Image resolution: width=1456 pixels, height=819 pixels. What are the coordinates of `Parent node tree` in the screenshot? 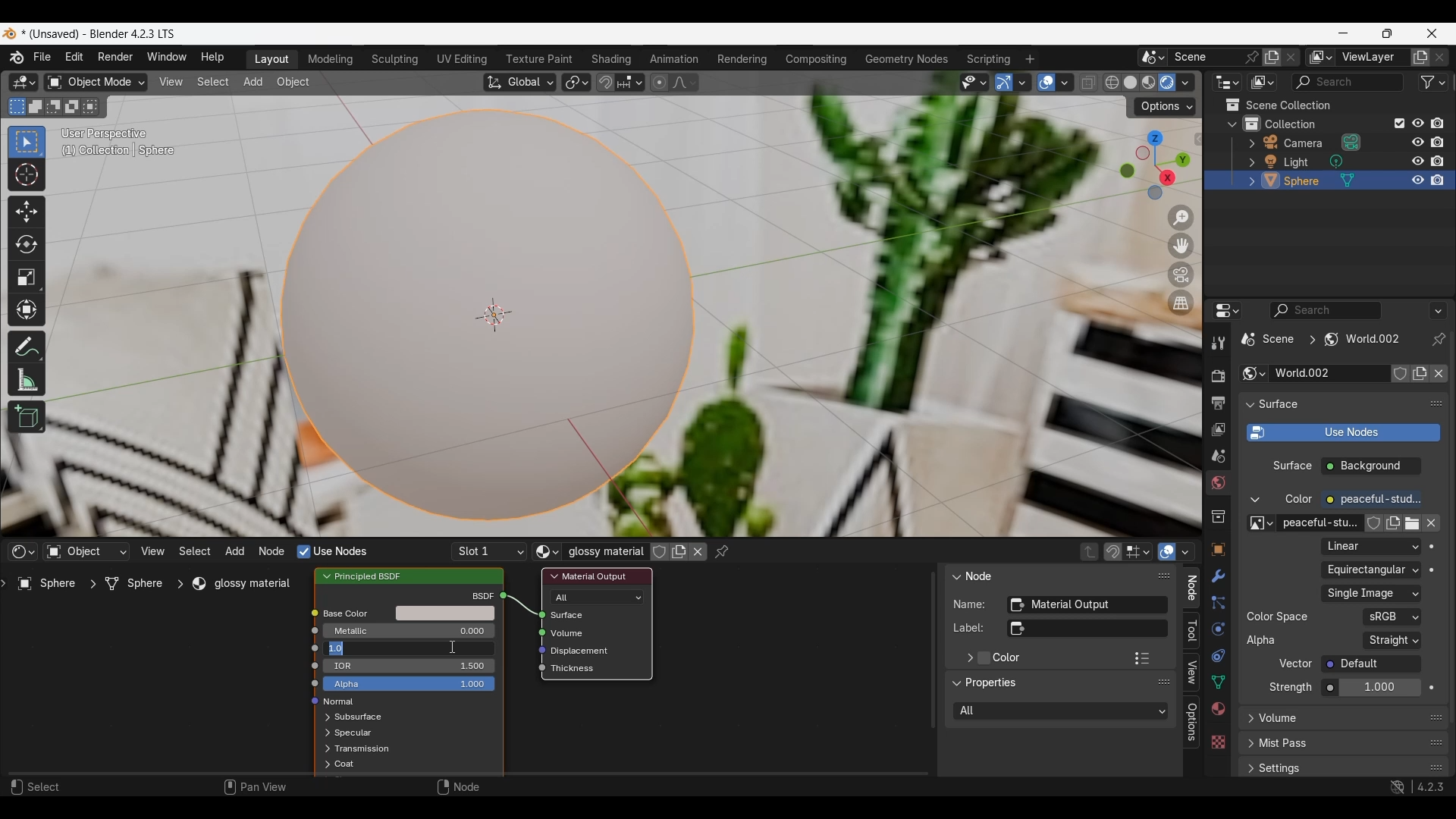 It's located at (1090, 551).